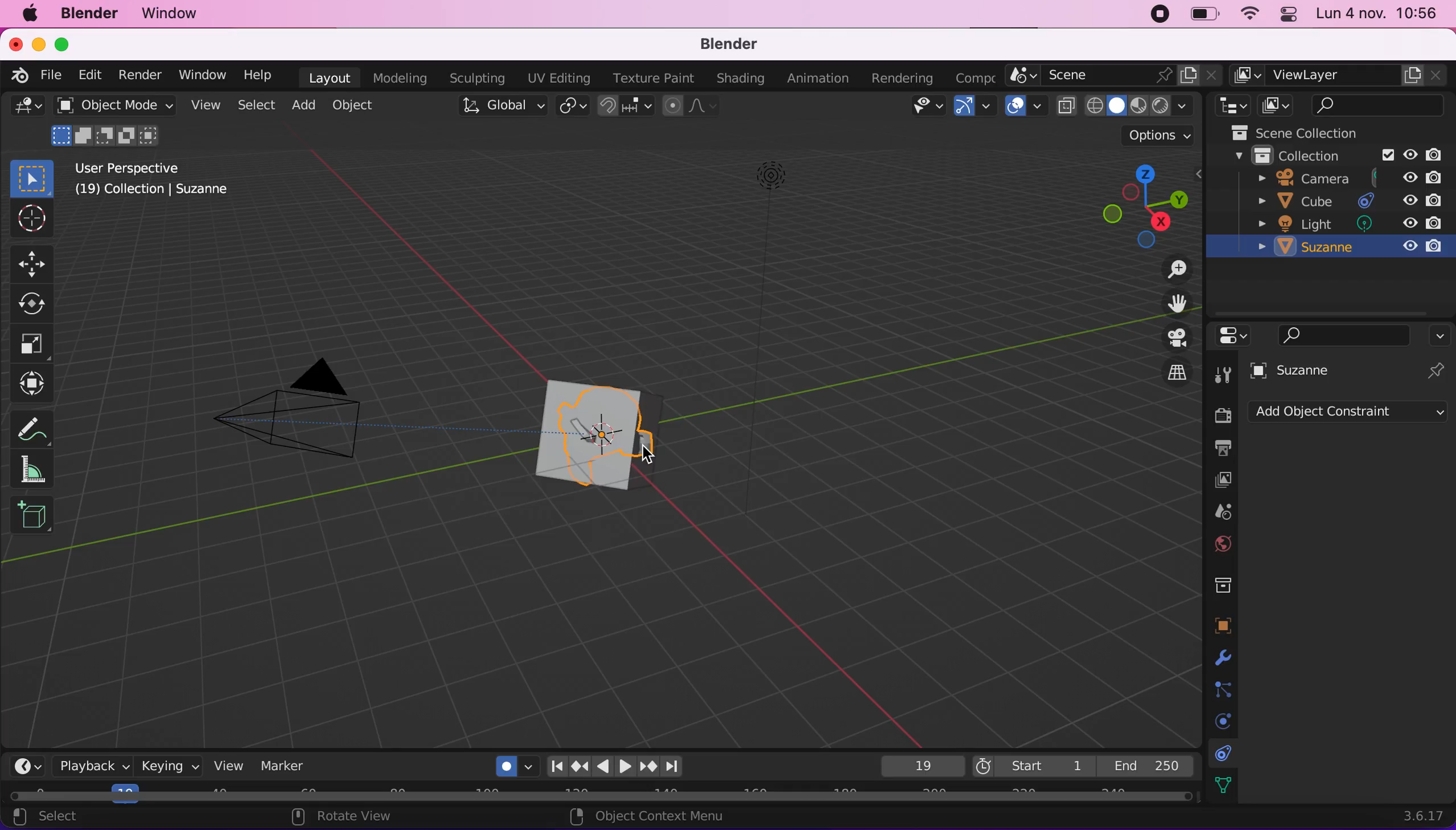 This screenshot has height=830, width=1456. Describe the element at coordinates (988, 107) in the screenshot. I see `Gizmos` at that location.